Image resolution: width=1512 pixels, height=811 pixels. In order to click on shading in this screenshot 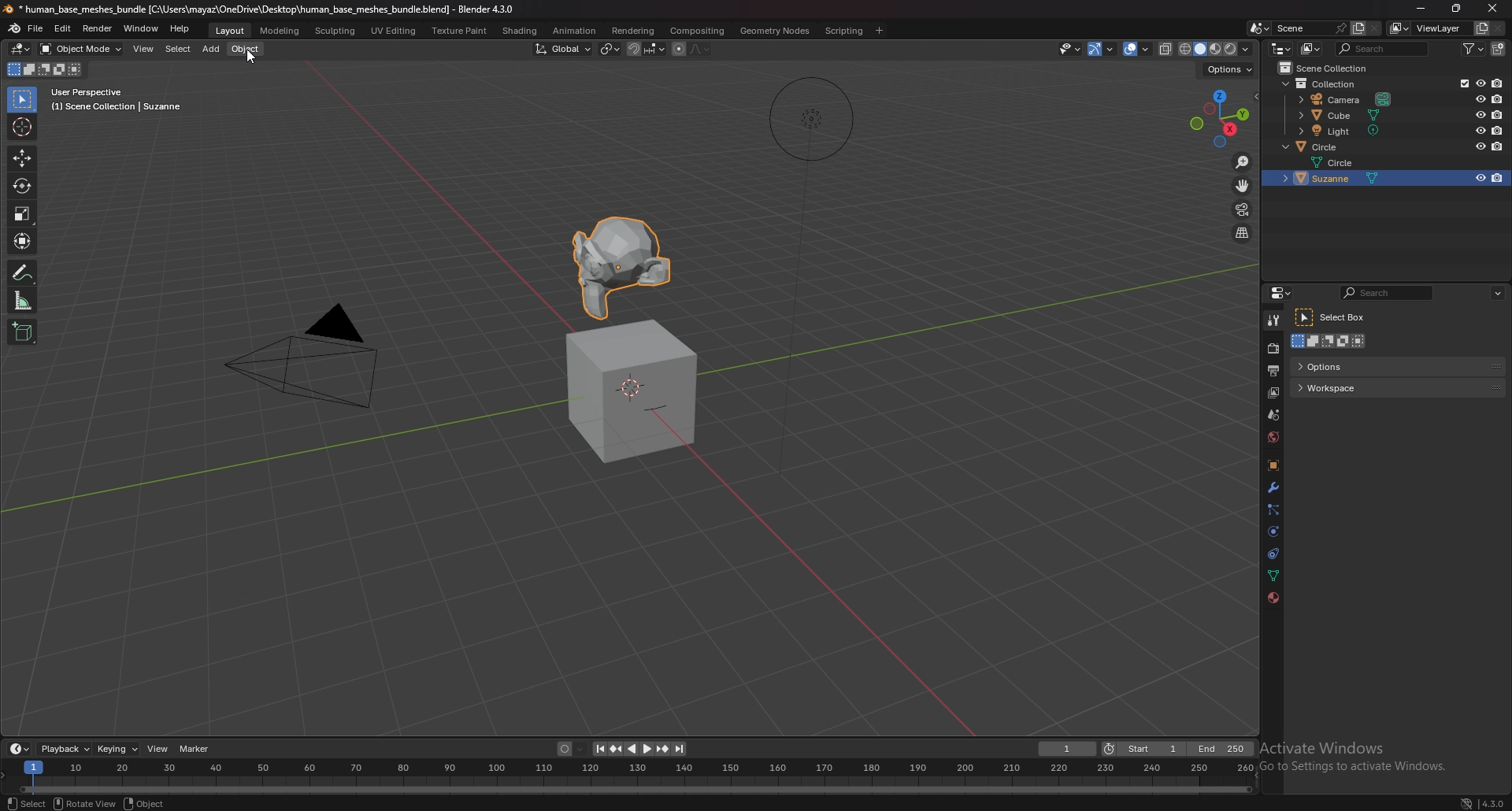, I will do `click(521, 30)`.